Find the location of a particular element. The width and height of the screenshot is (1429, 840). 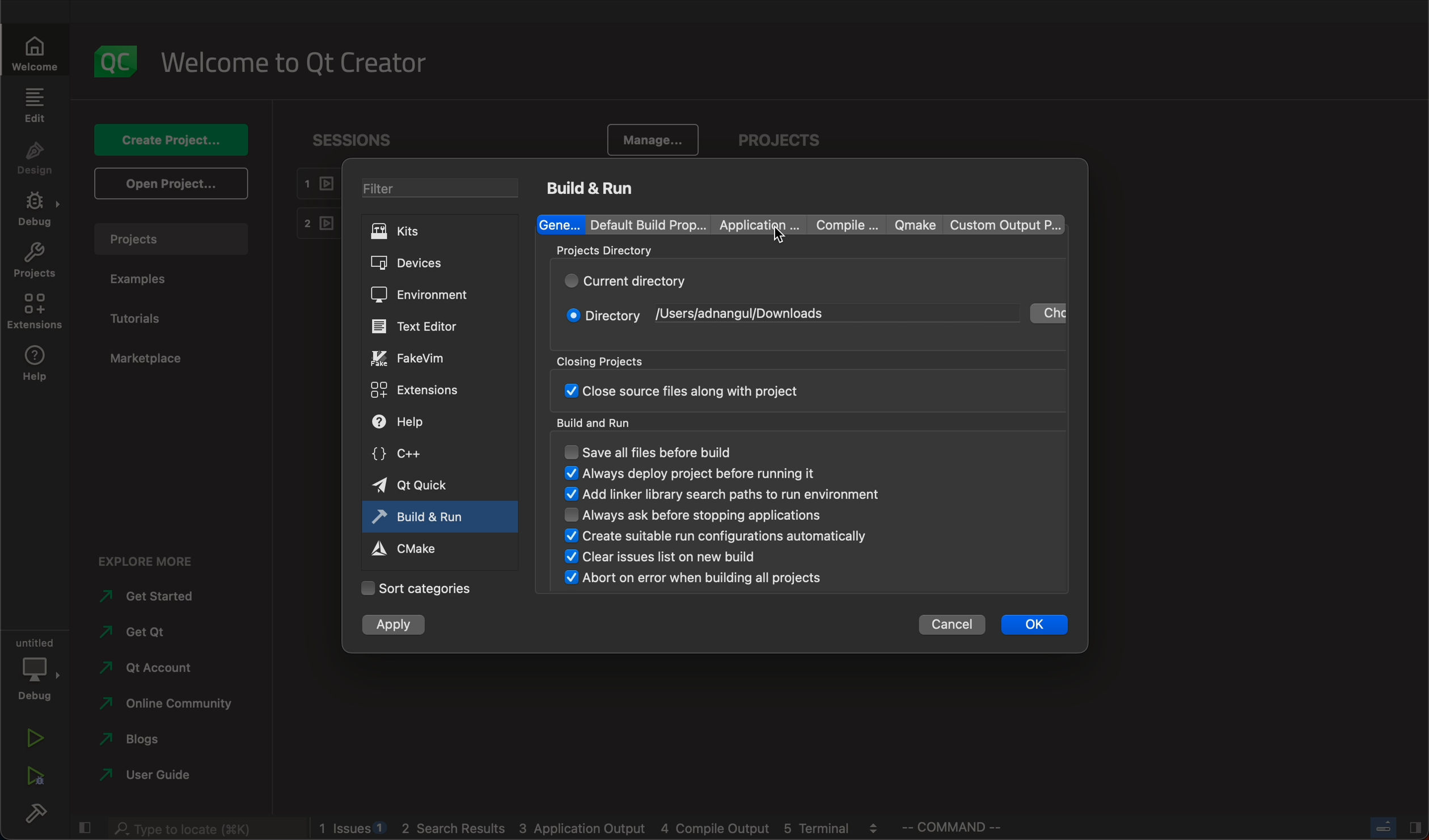

quick is located at coordinates (425, 485).